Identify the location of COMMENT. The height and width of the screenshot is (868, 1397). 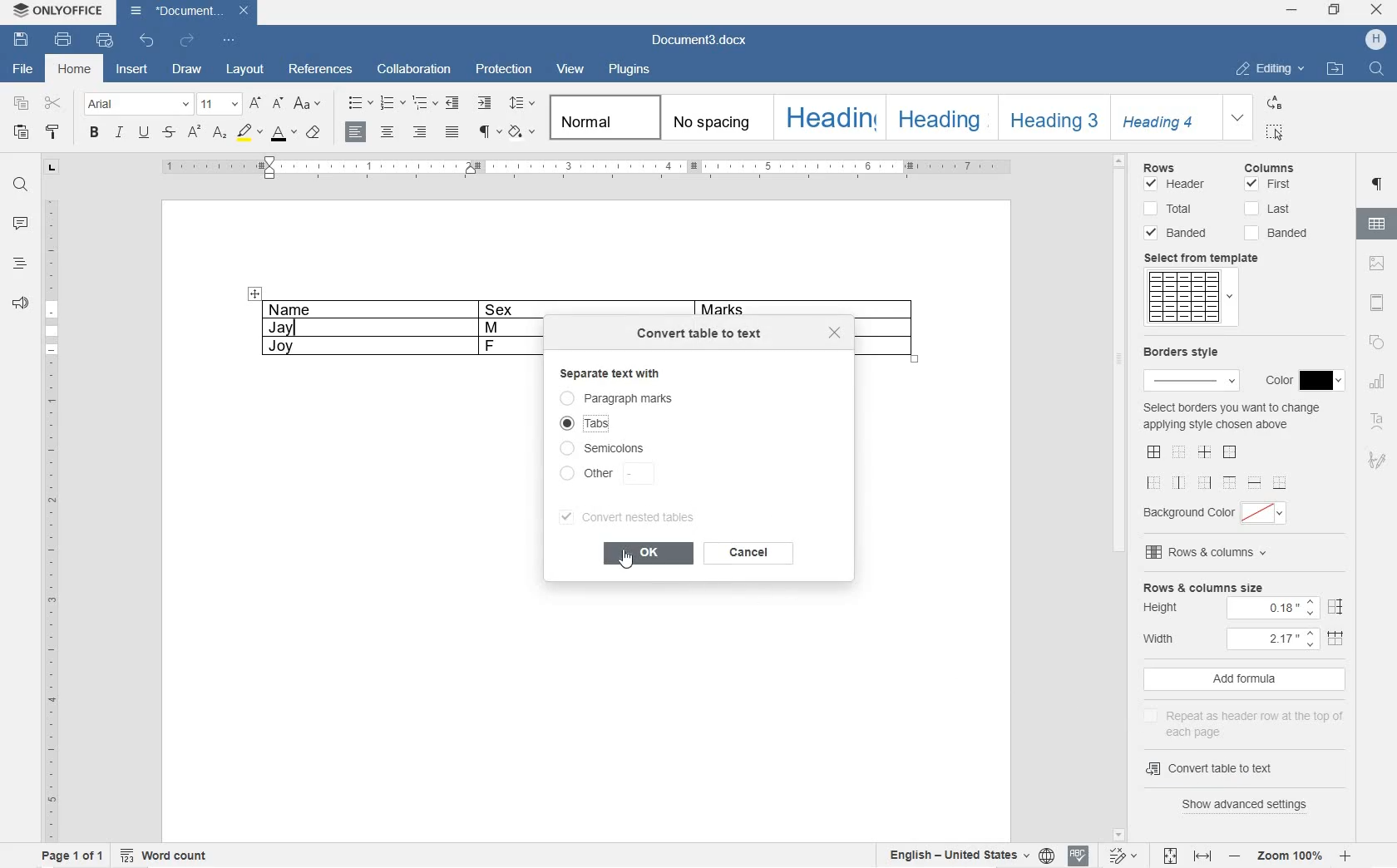
(19, 224).